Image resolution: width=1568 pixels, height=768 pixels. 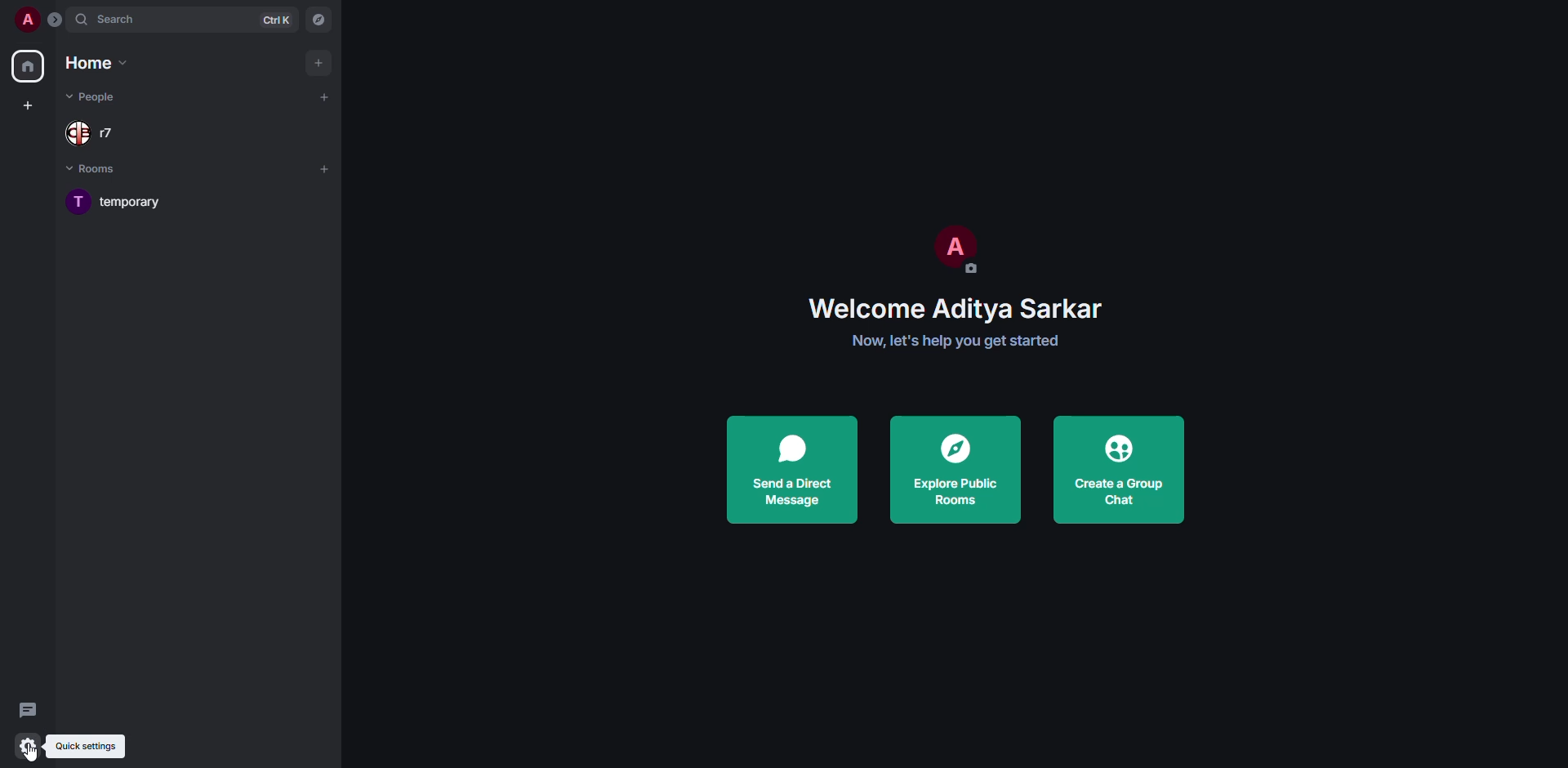 I want to click on home, so click(x=100, y=64).